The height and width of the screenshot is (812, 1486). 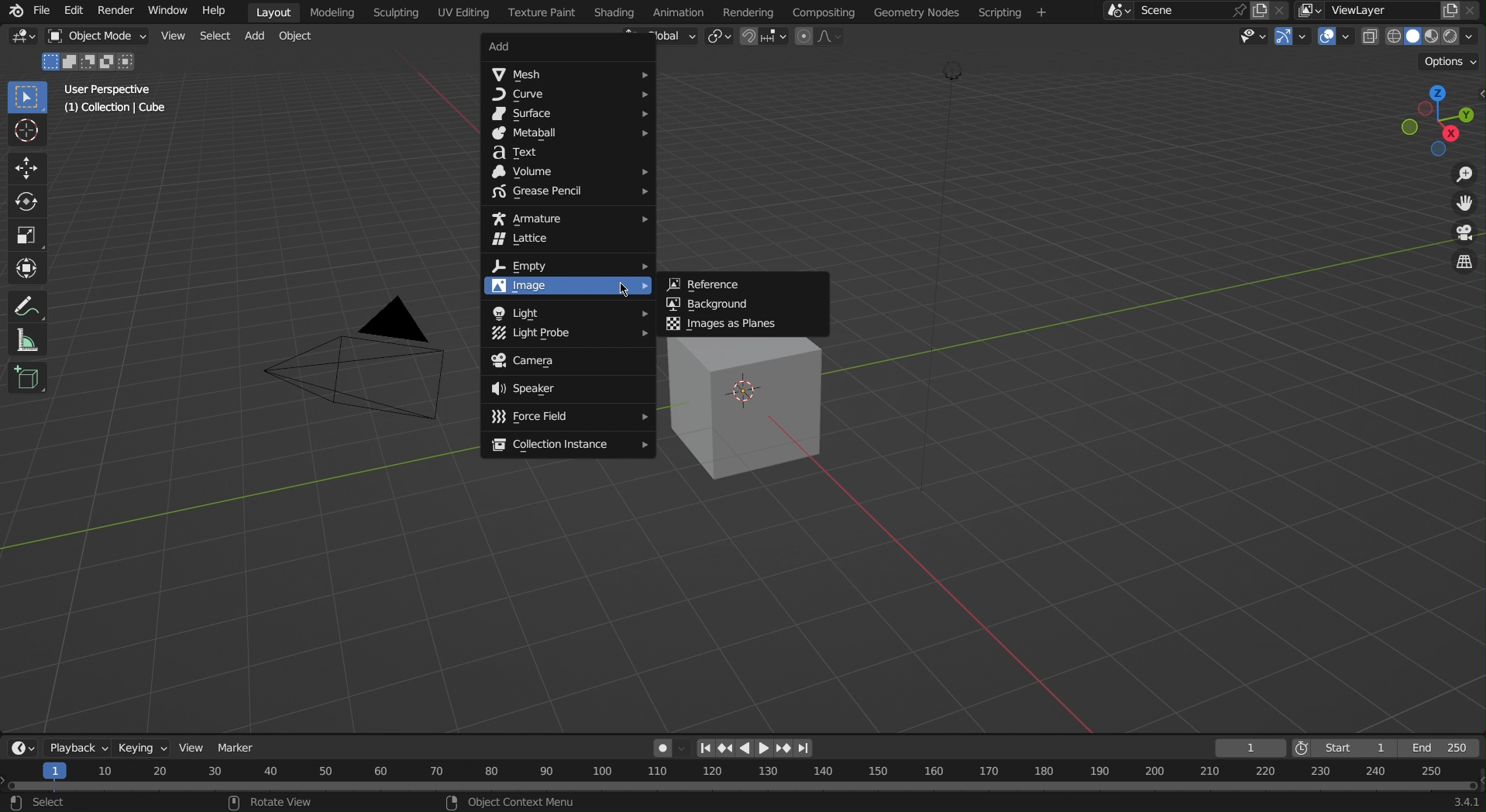 I want to click on Add, so click(x=558, y=47).